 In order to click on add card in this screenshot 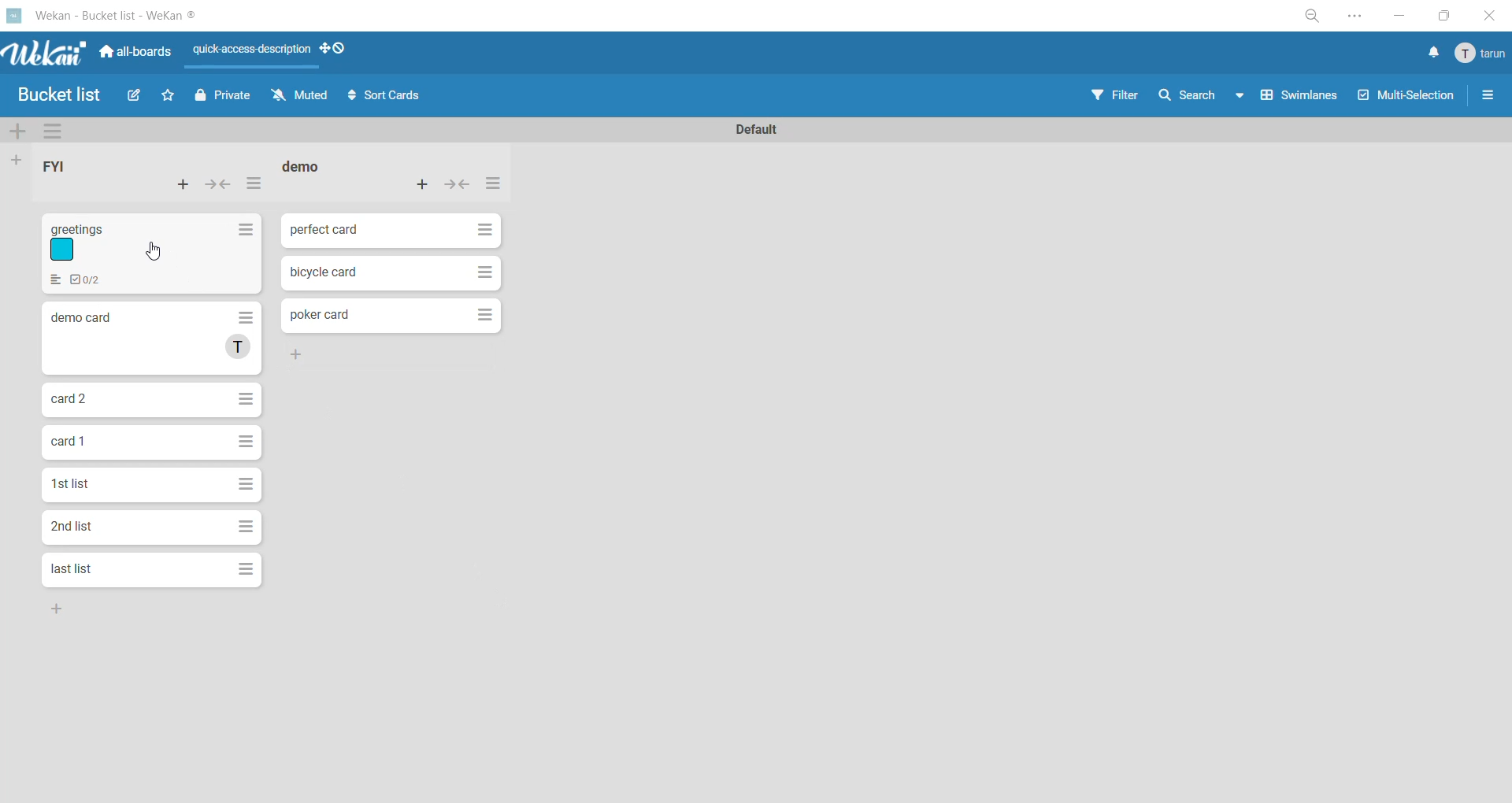, I will do `click(424, 186)`.